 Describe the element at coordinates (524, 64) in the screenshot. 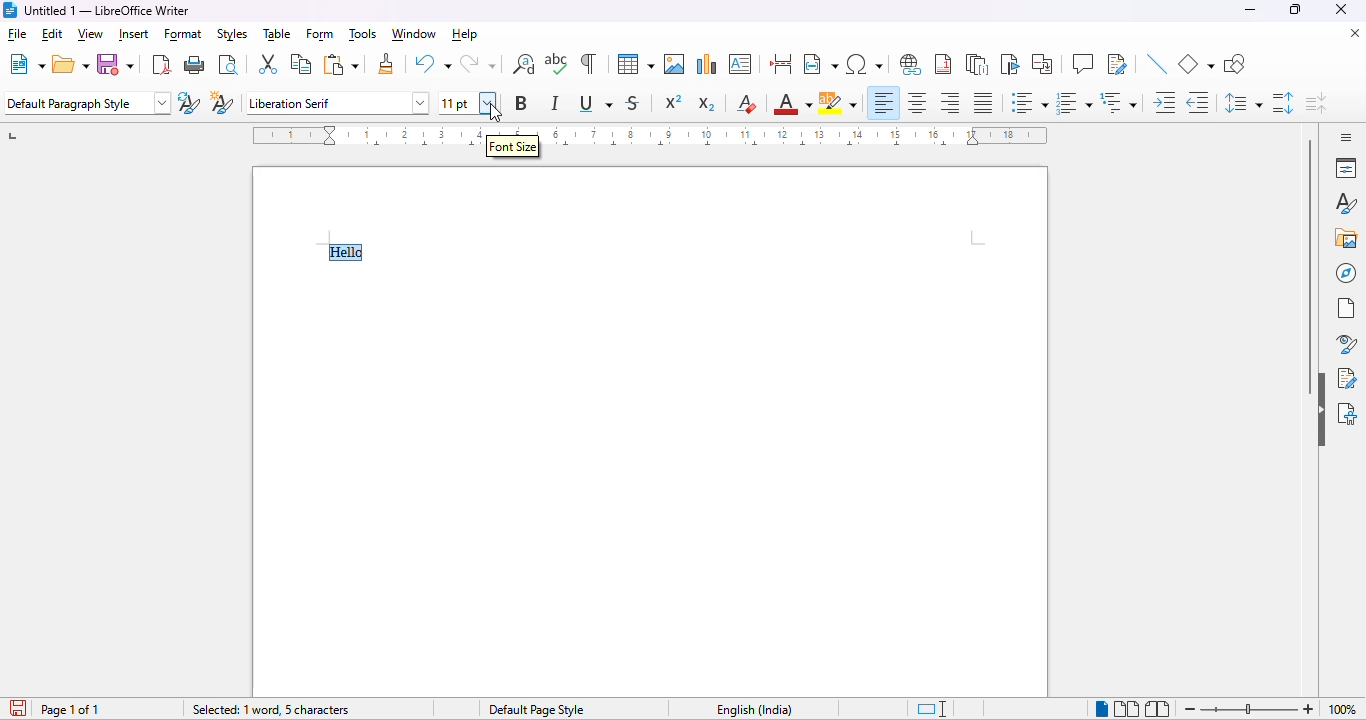

I see `find and replace` at that location.